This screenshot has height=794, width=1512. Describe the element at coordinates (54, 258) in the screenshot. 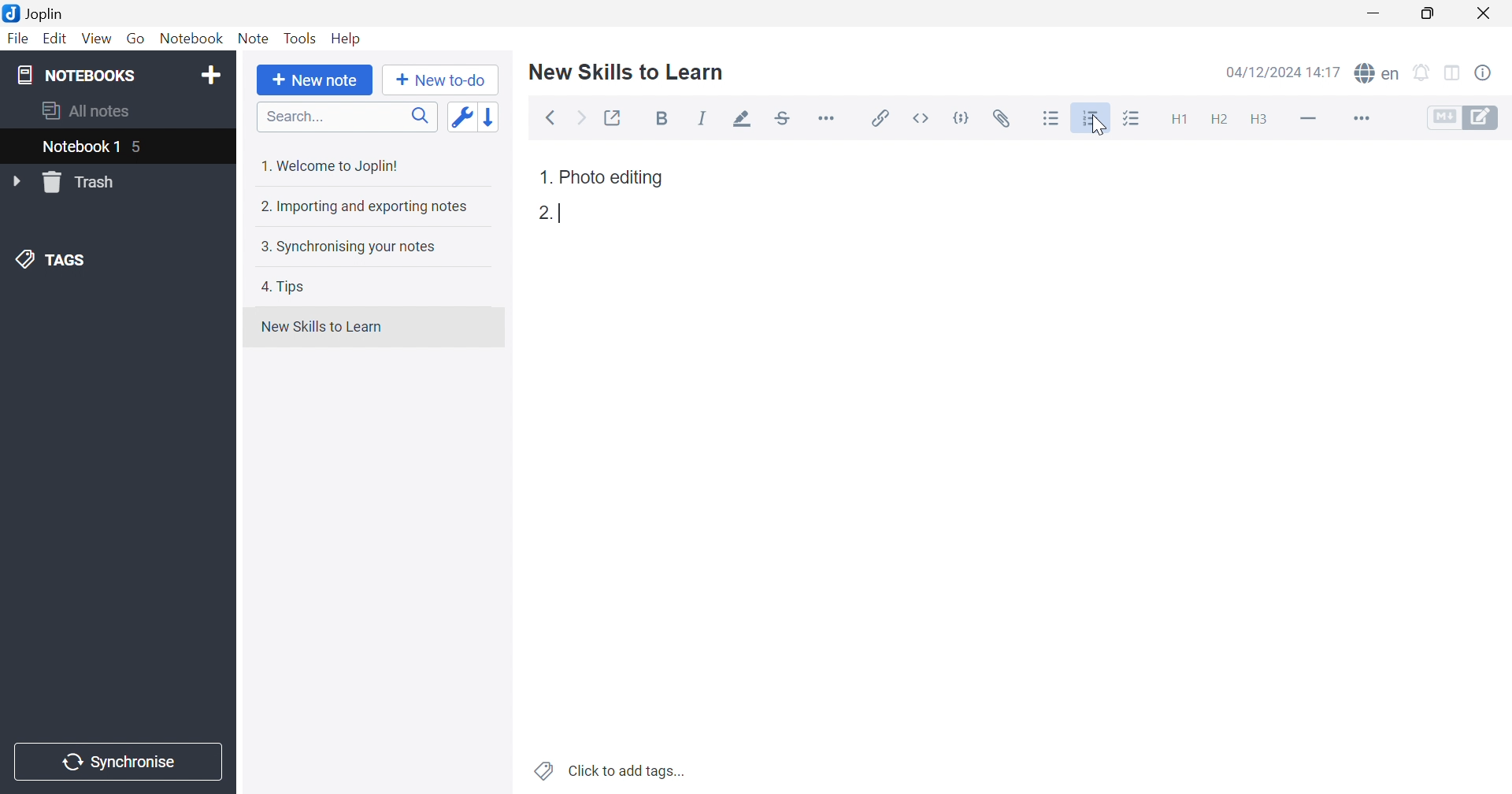

I see `TAGS` at that location.